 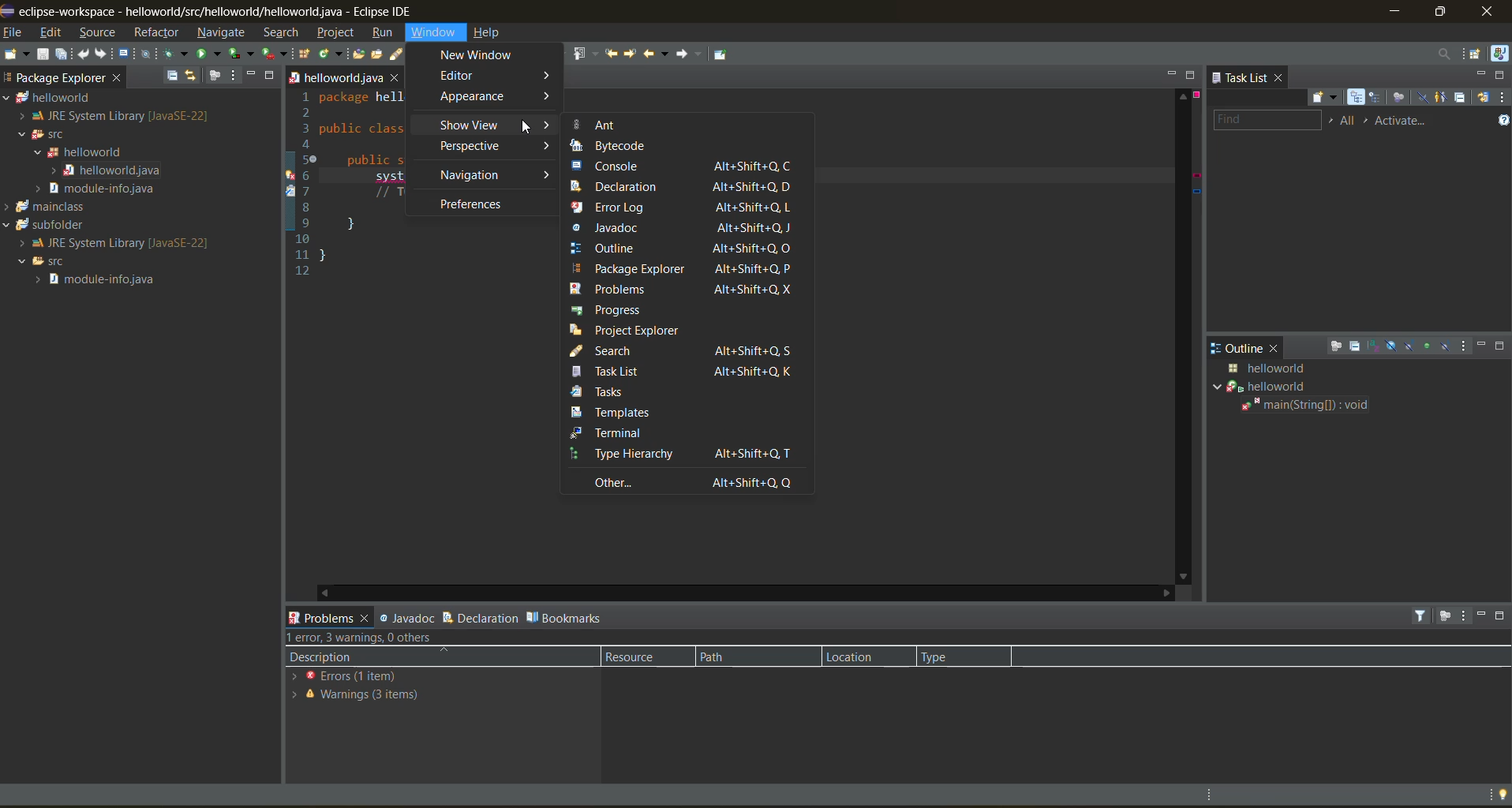 What do you see at coordinates (100, 150) in the screenshot?
I see `helloworld` at bounding box center [100, 150].